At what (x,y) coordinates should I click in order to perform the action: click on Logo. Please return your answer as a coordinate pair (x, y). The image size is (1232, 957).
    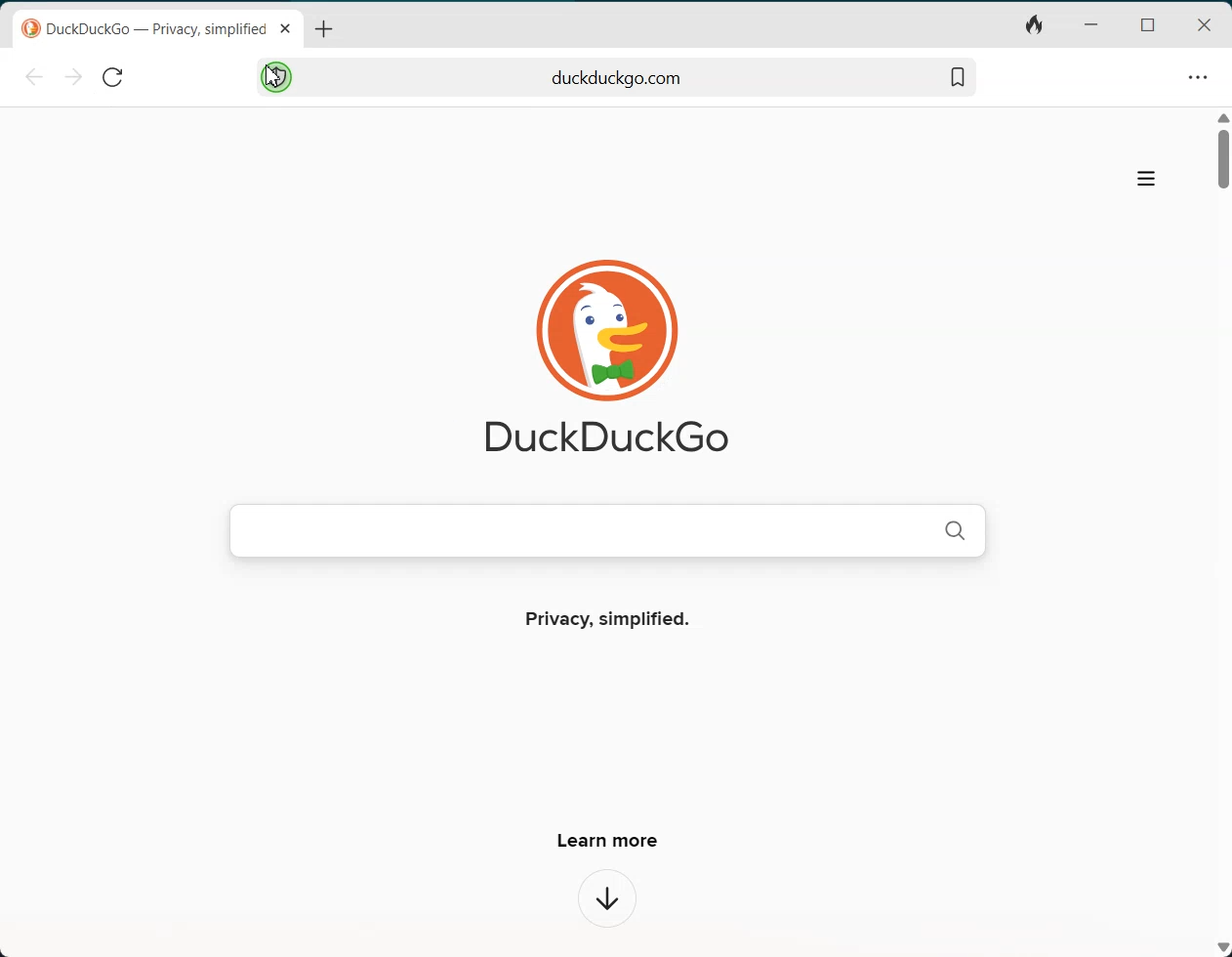
    Looking at the image, I should click on (601, 341).